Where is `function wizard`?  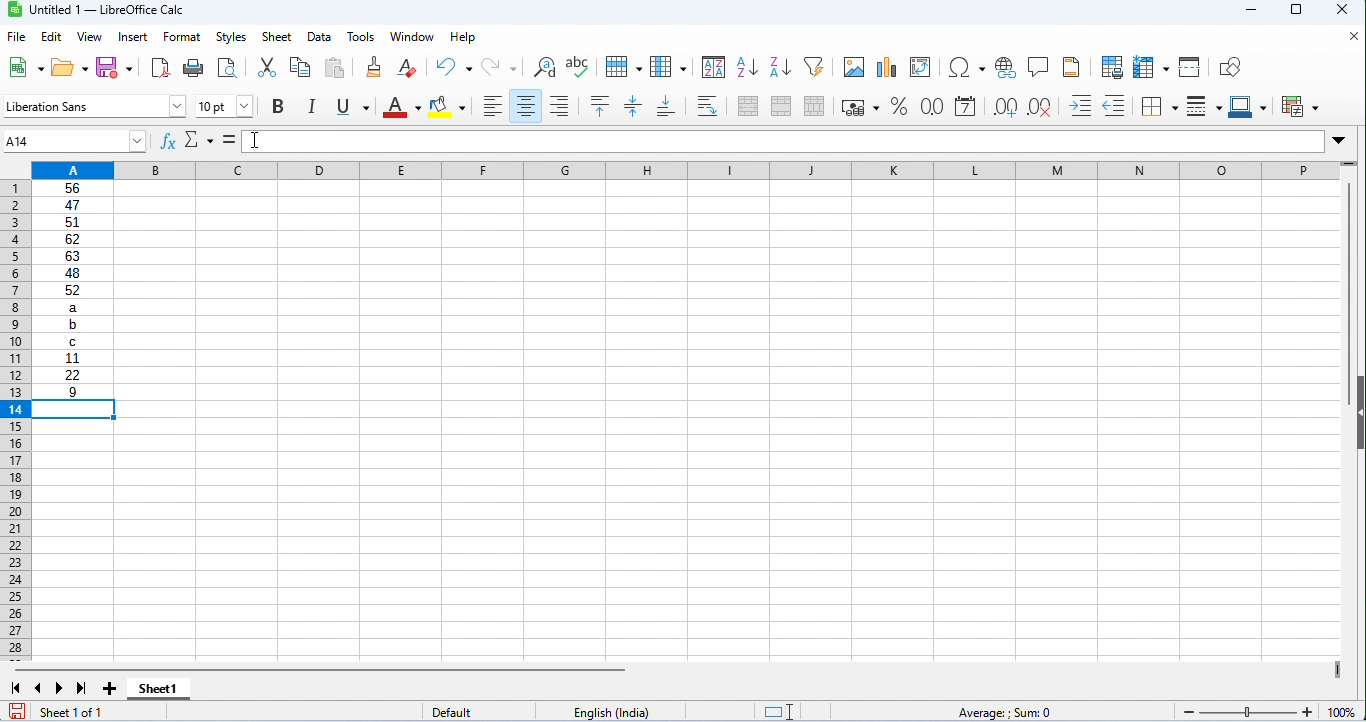
function wizard is located at coordinates (168, 141).